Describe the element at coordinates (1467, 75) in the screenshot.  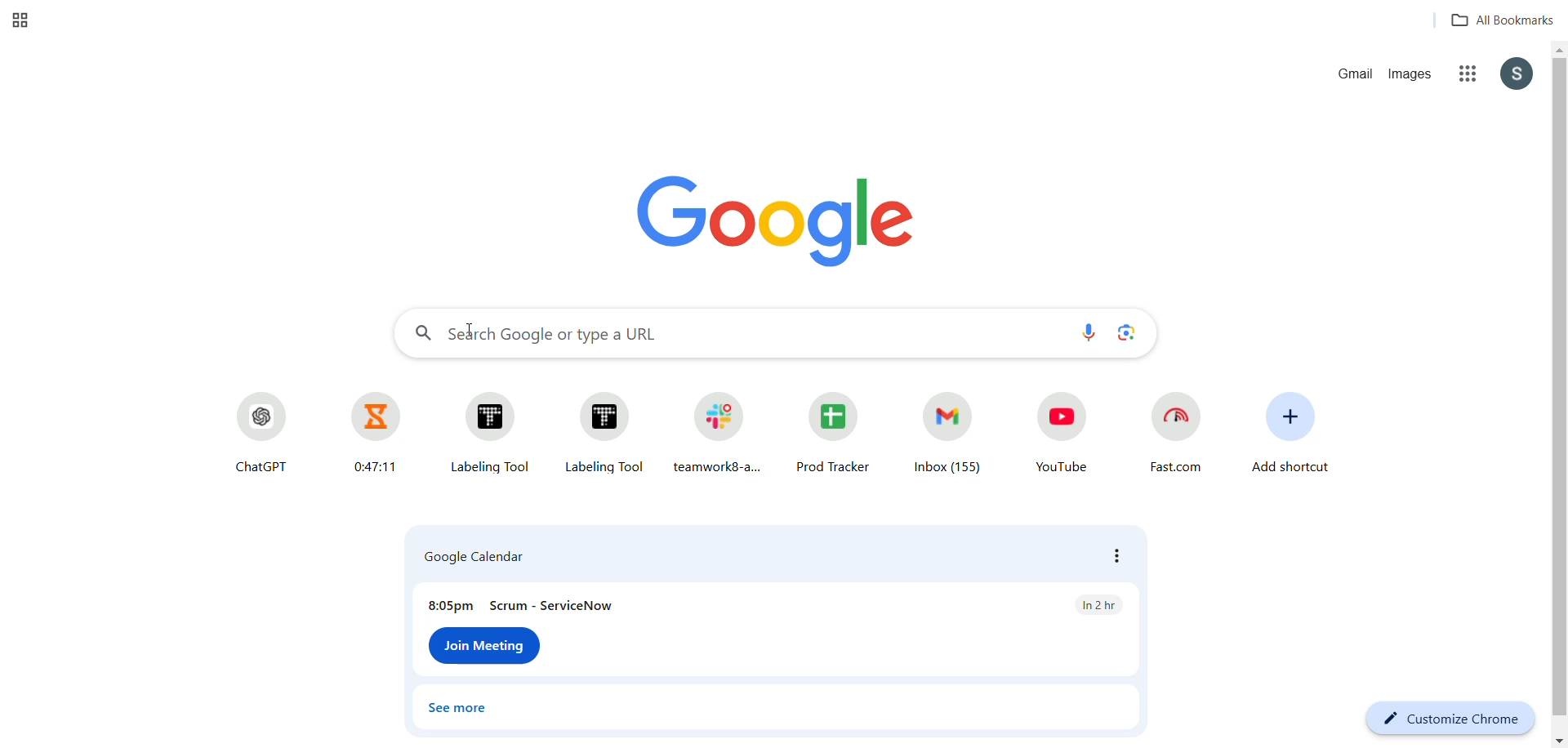
I see `google options` at that location.